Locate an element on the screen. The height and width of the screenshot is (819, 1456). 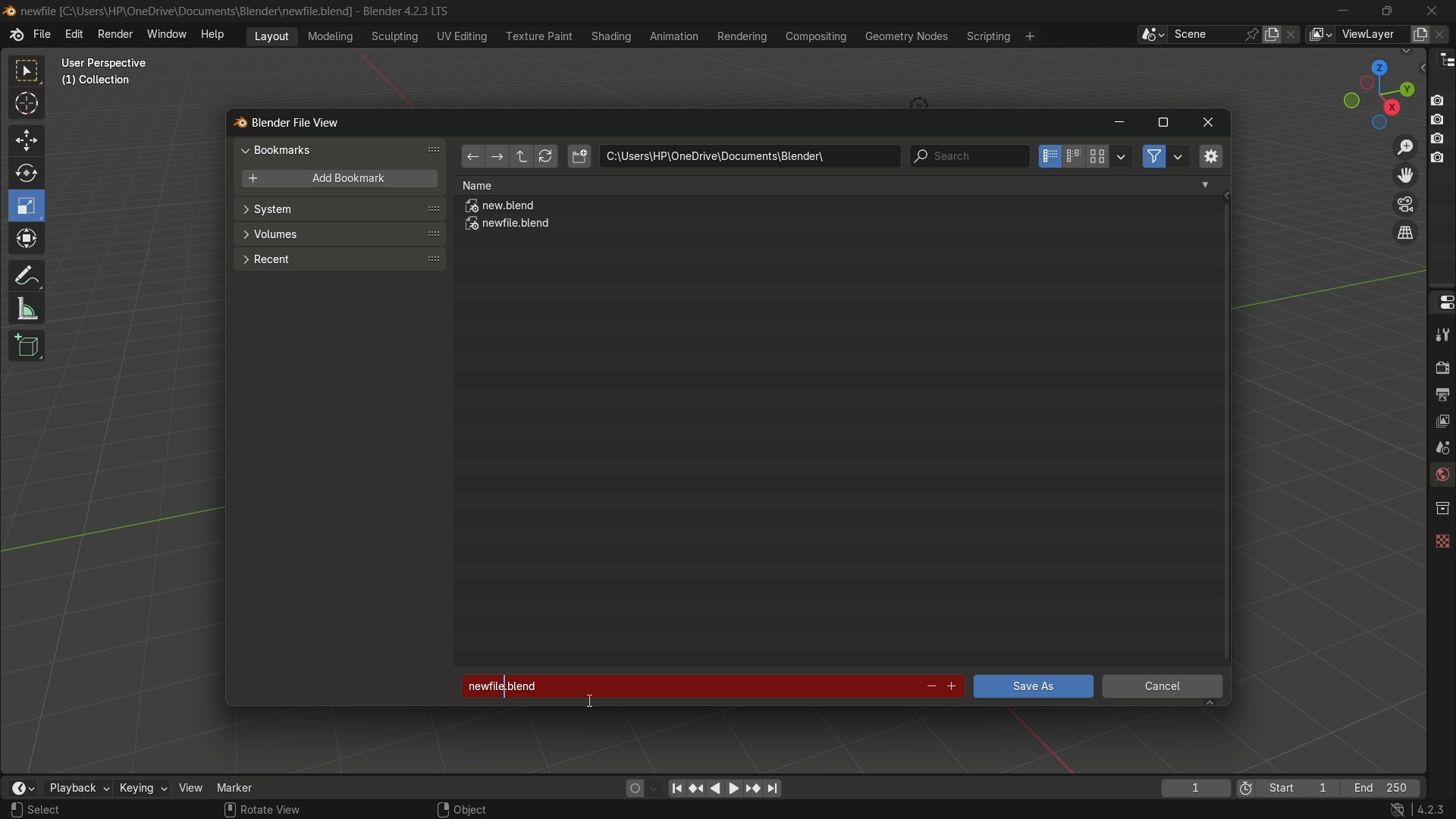
scripting menu is located at coordinates (987, 36).